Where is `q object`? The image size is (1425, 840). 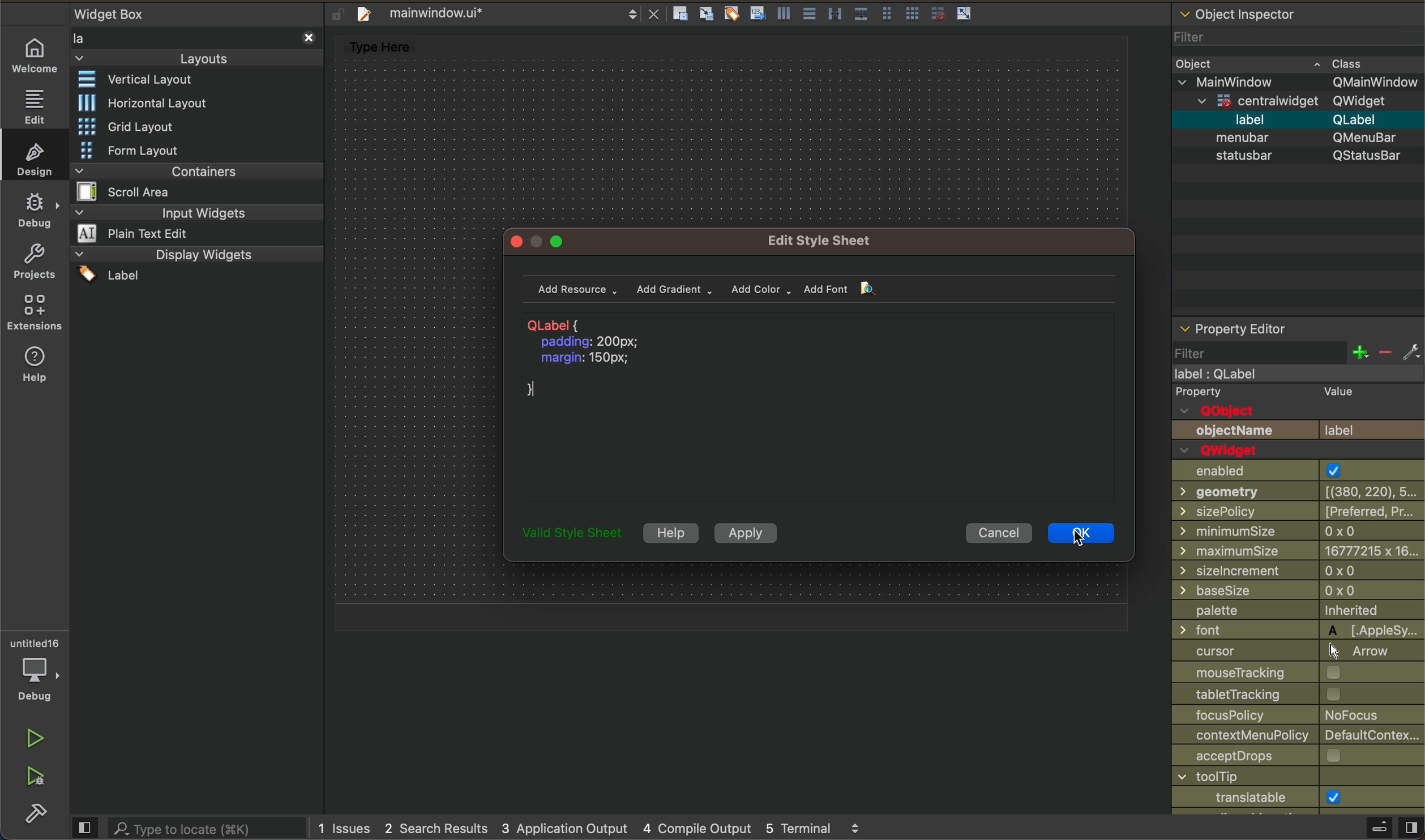 q object is located at coordinates (1244, 412).